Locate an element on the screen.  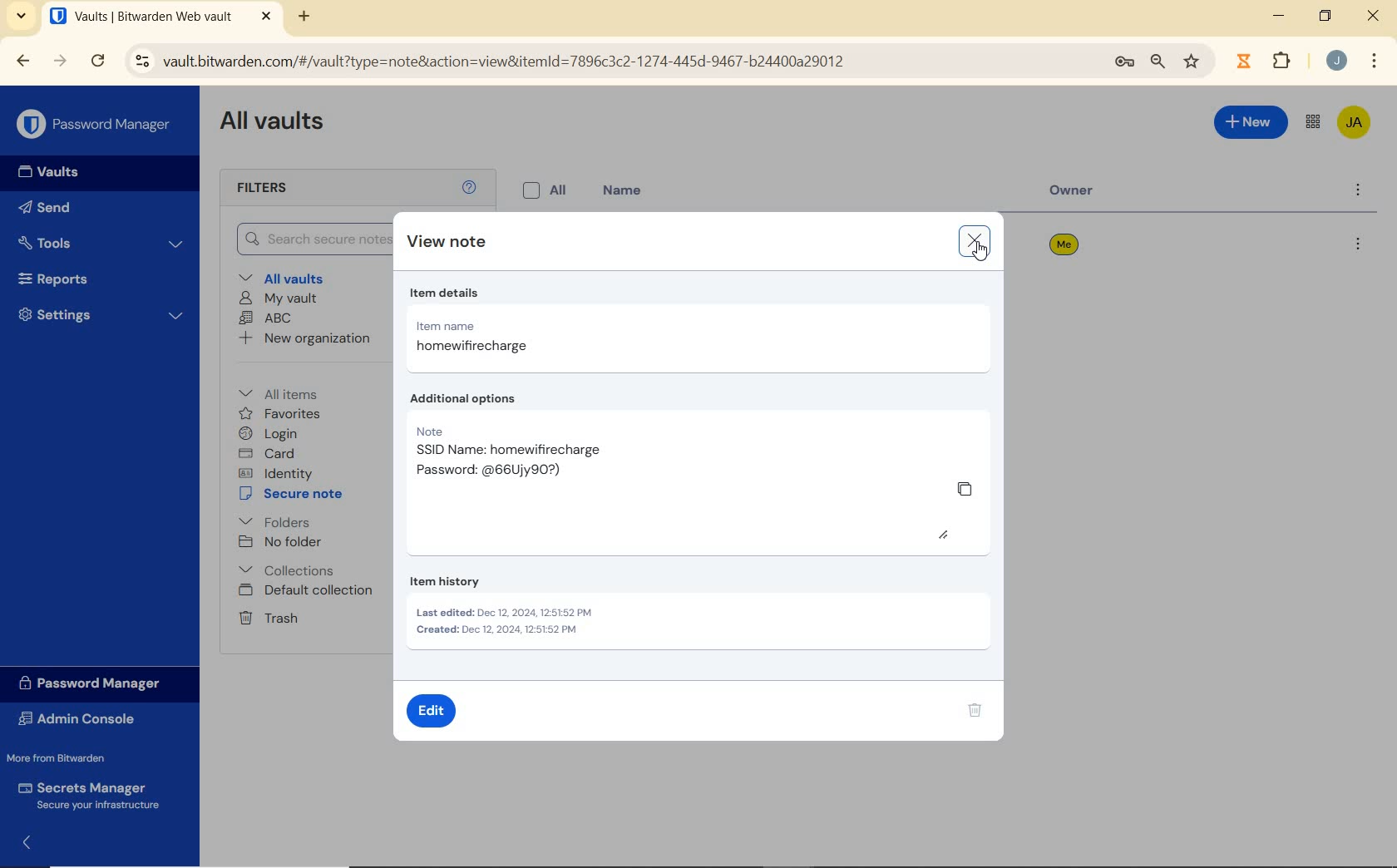
All Vaults is located at coordinates (273, 124).